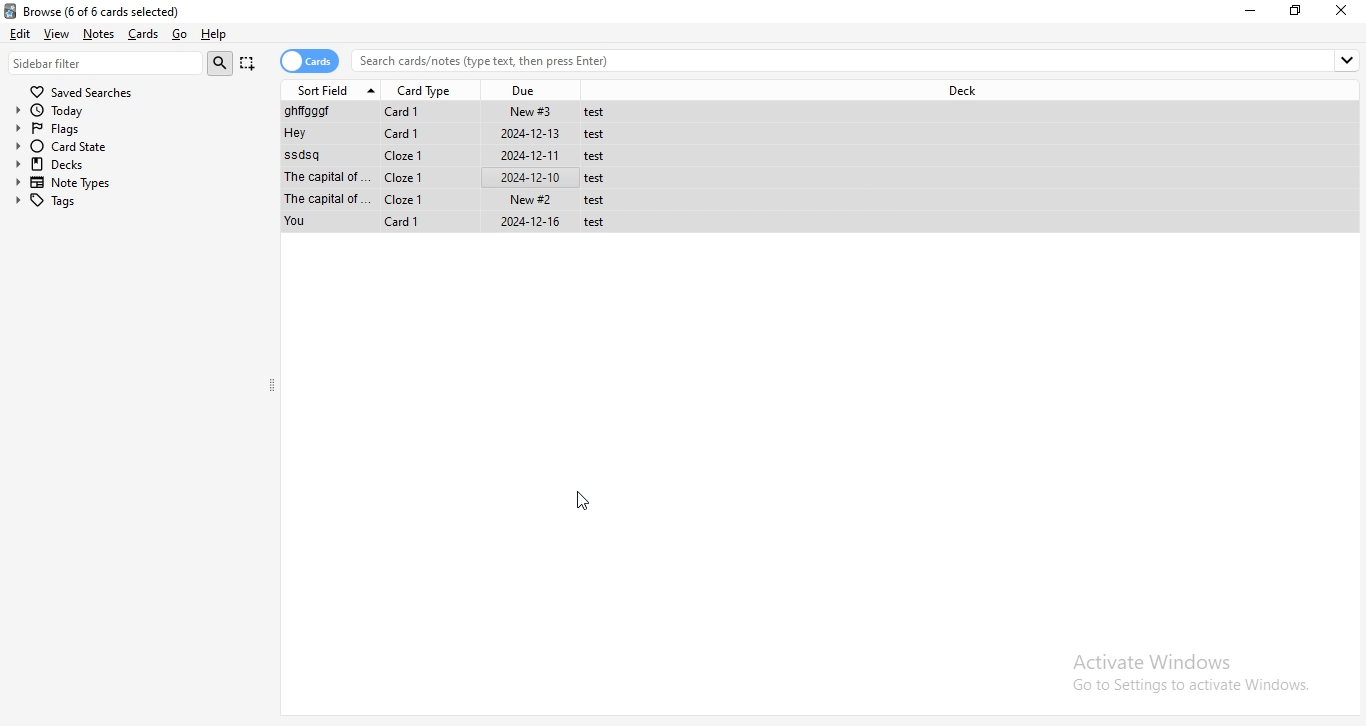  What do you see at coordinates (589, 499) in the screenshot?
I see `cursor` at bounding box center [589, 499].